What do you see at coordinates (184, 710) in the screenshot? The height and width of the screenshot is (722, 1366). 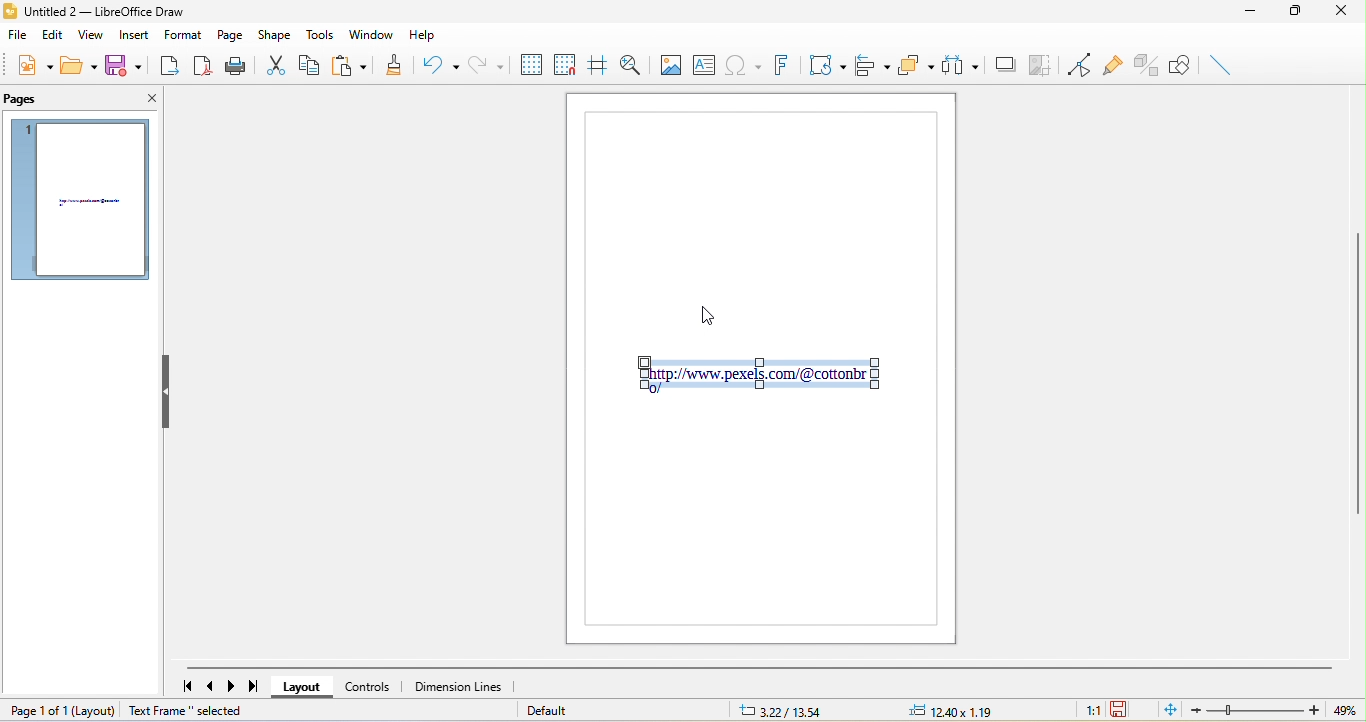 I see `text frame selected` at bounding box center [184, 710].